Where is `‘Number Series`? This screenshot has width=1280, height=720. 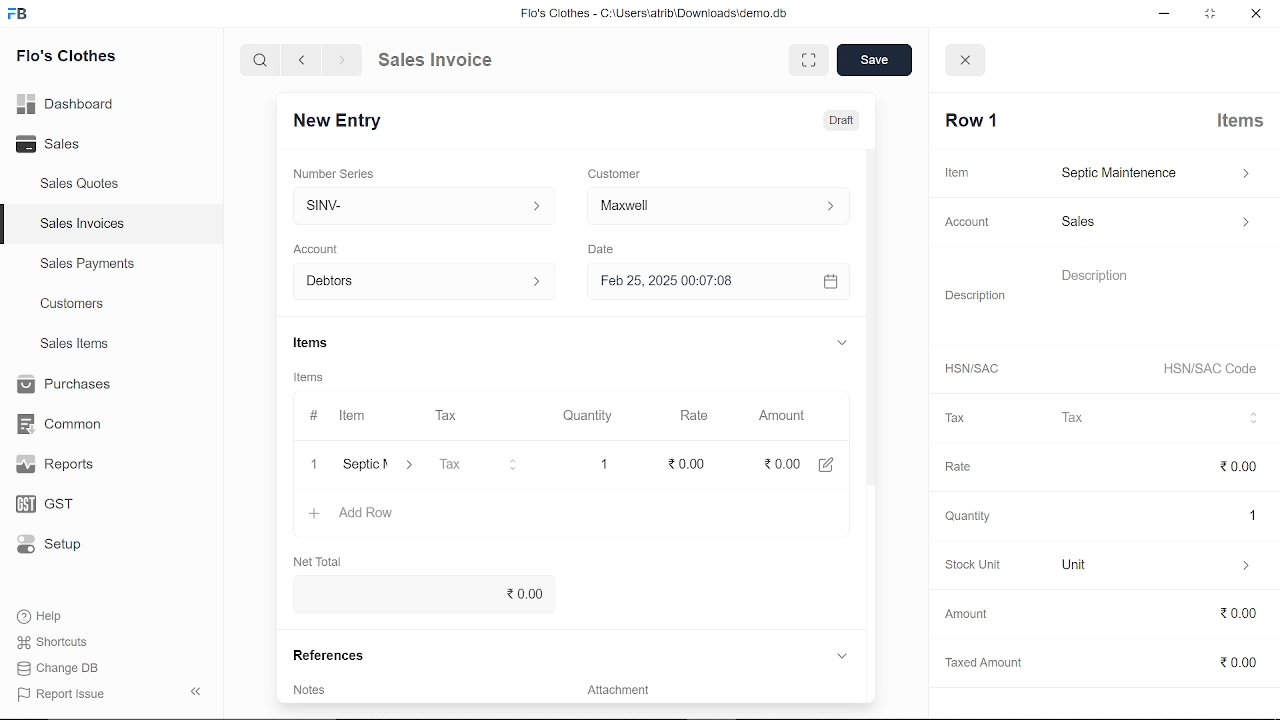
‘Number Series is located at coordinates (338, 173).